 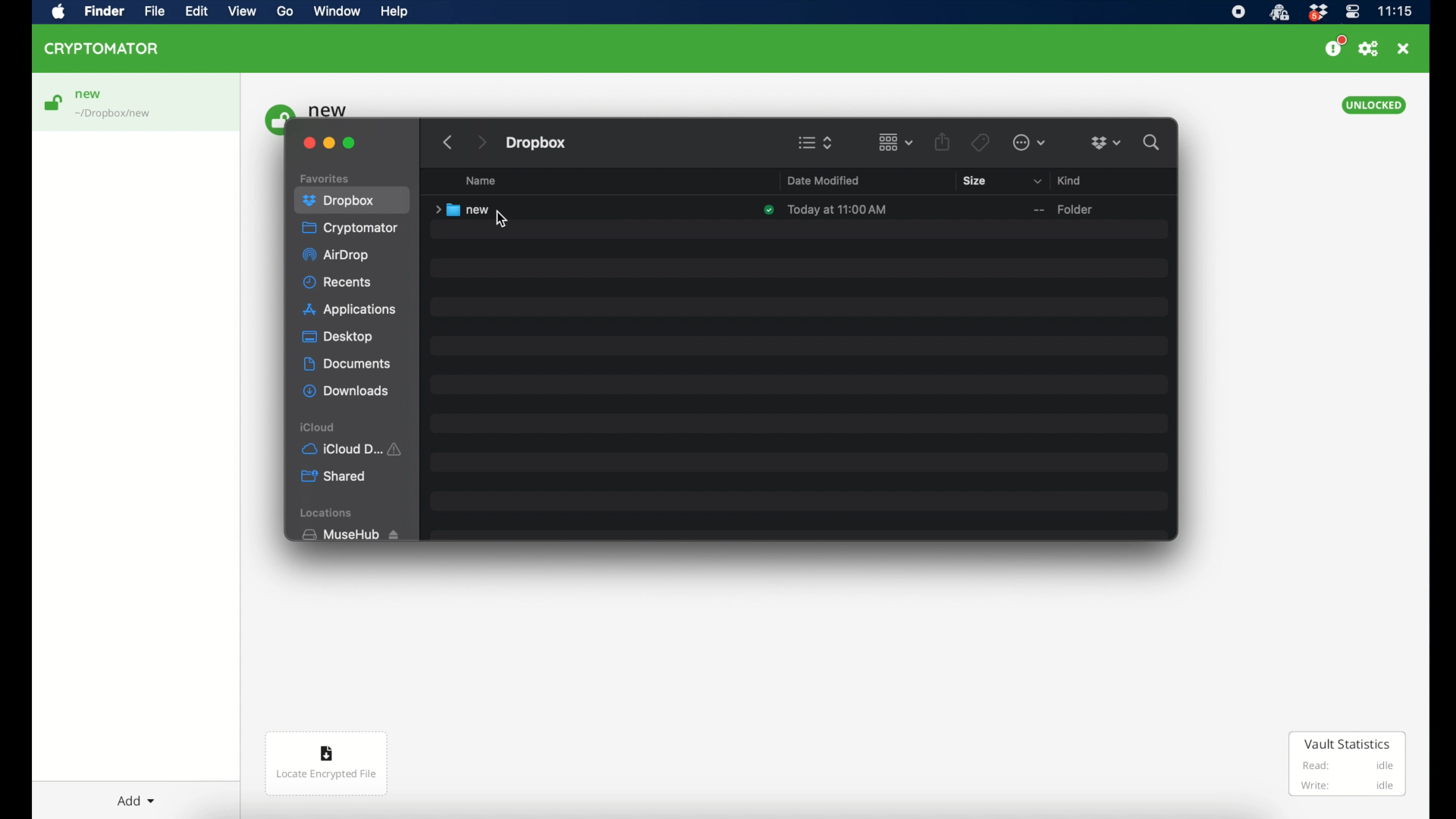 What do you see at coordinates (347, 364) in the screenshot?
I see `documents` at bounding box center [347, 364].